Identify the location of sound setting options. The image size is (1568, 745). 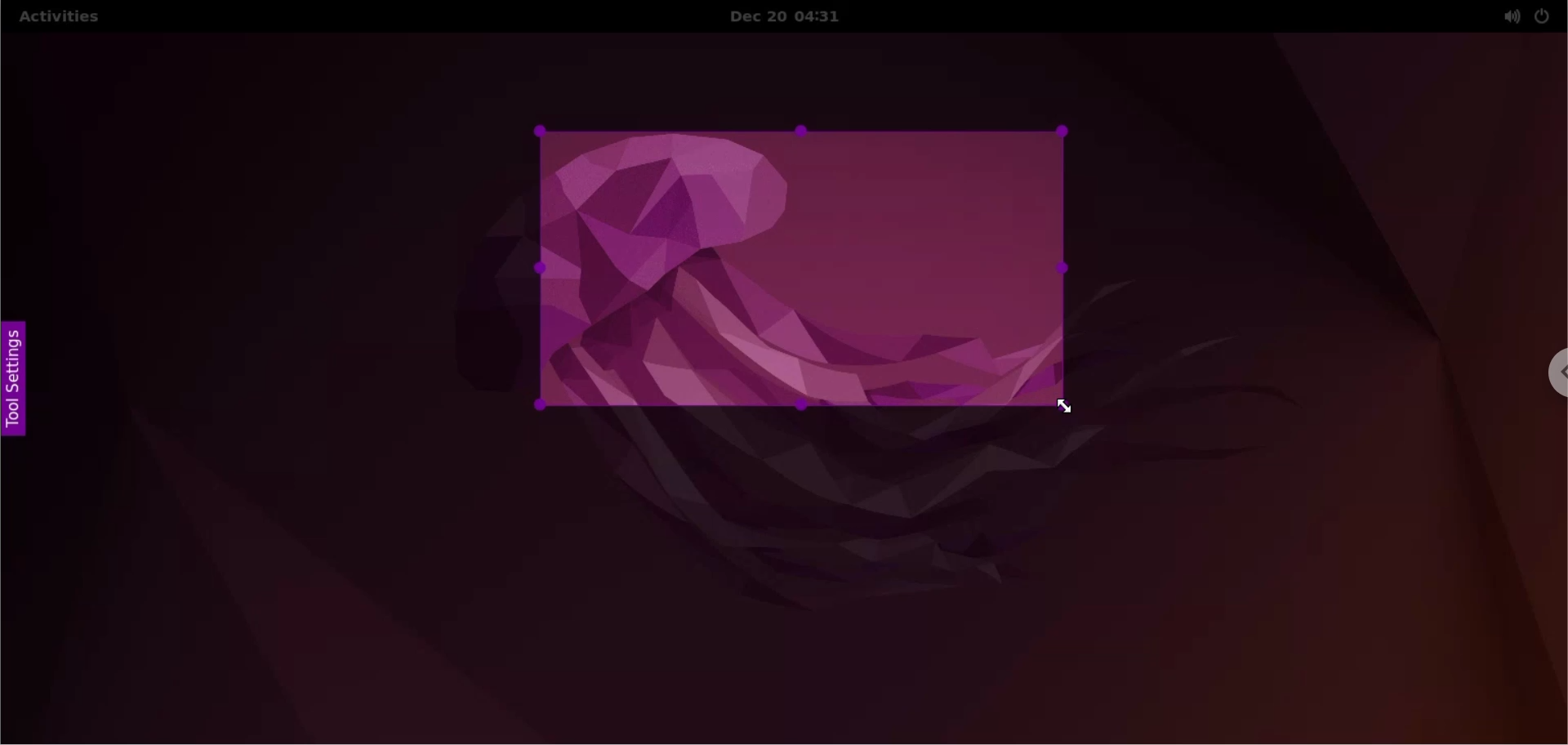
(1506, 16).